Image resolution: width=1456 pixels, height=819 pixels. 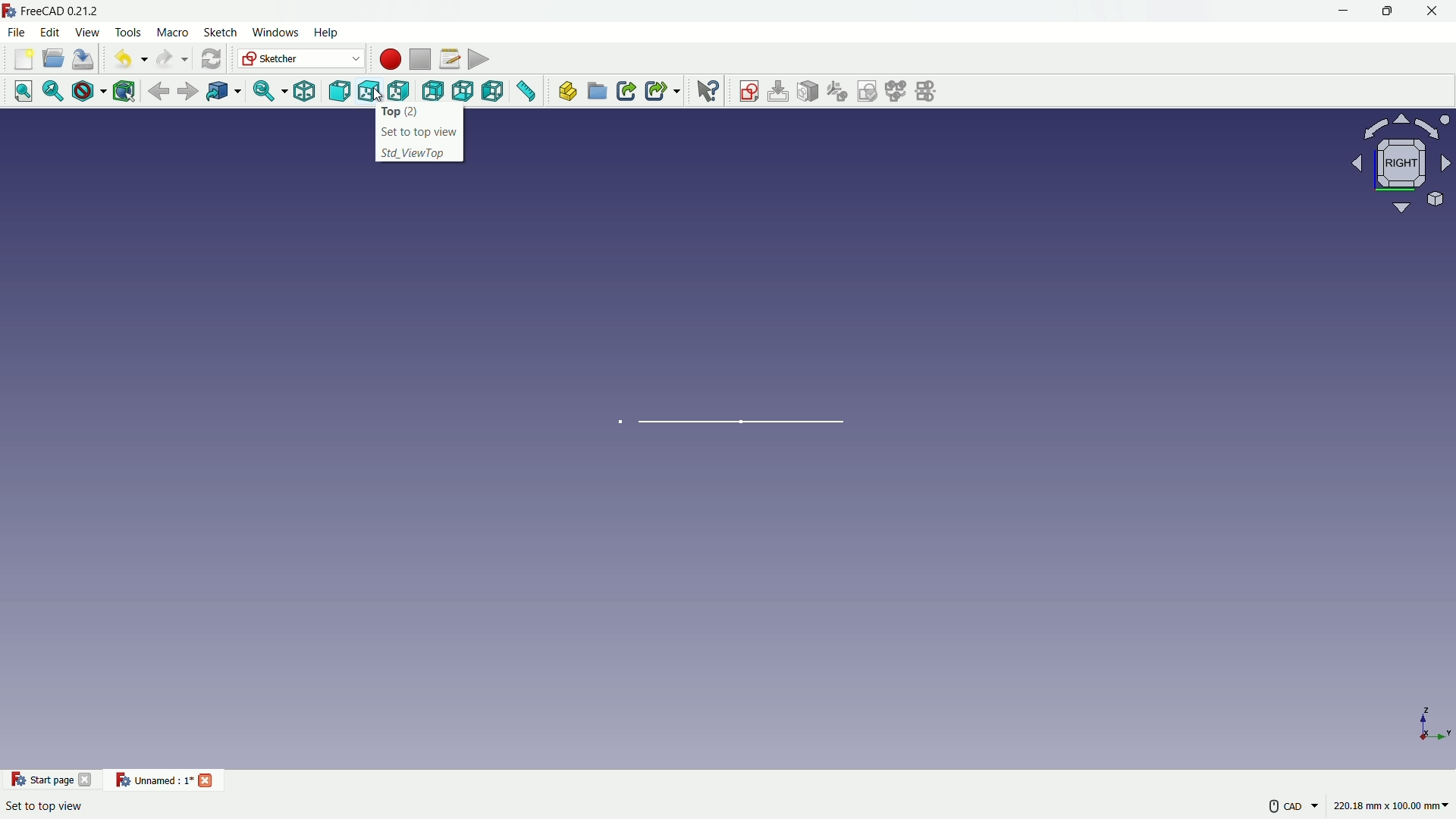 What do you see at coordinates (1278, 808) in the screenshot?
I see `navigation style` at bounding box center [1278, 808].